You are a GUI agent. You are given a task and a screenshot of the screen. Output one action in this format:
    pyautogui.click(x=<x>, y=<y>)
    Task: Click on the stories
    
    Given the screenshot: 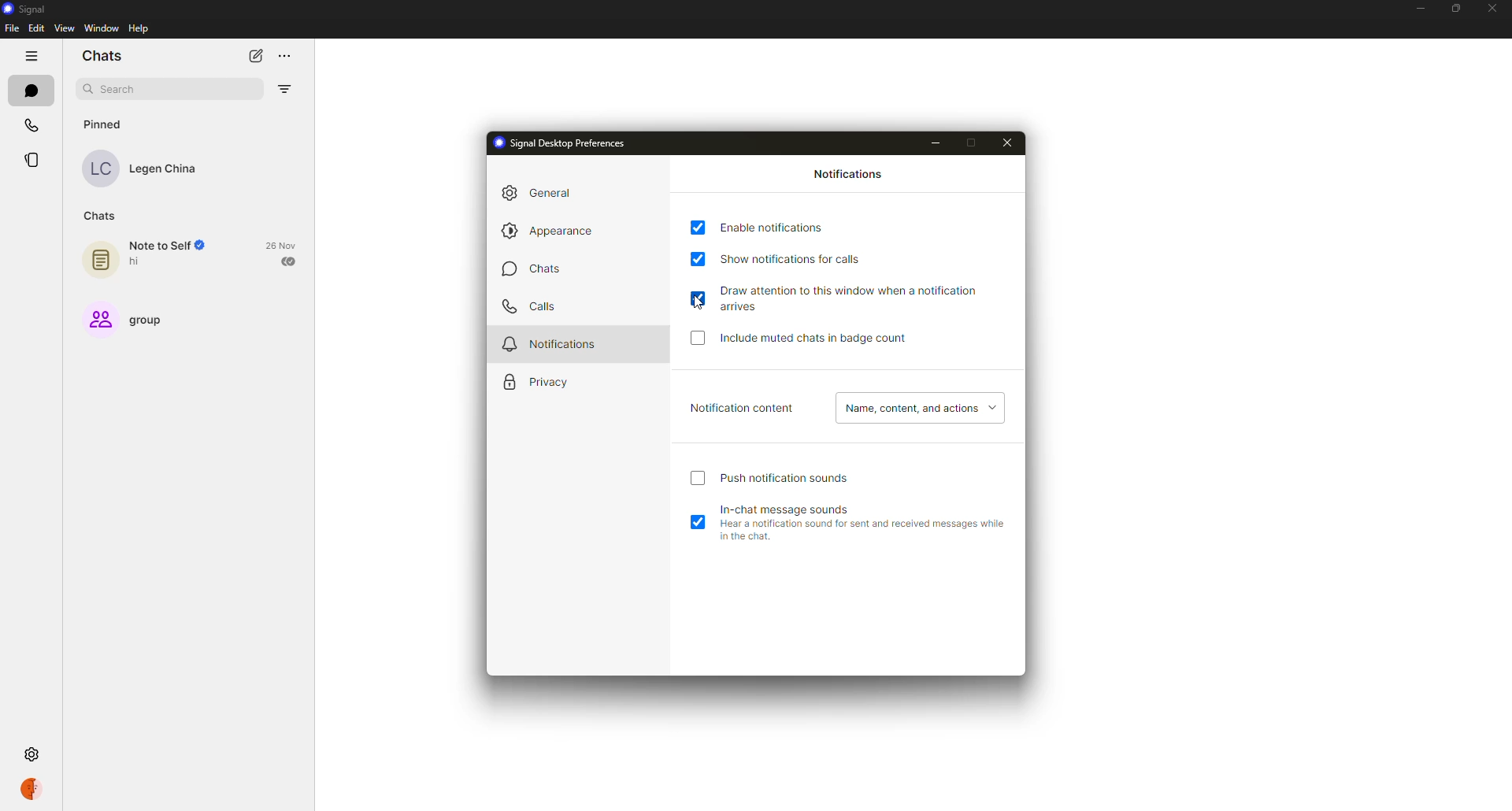 What is the action you would take?
    pyautogui.click(x=36, y=160)
    